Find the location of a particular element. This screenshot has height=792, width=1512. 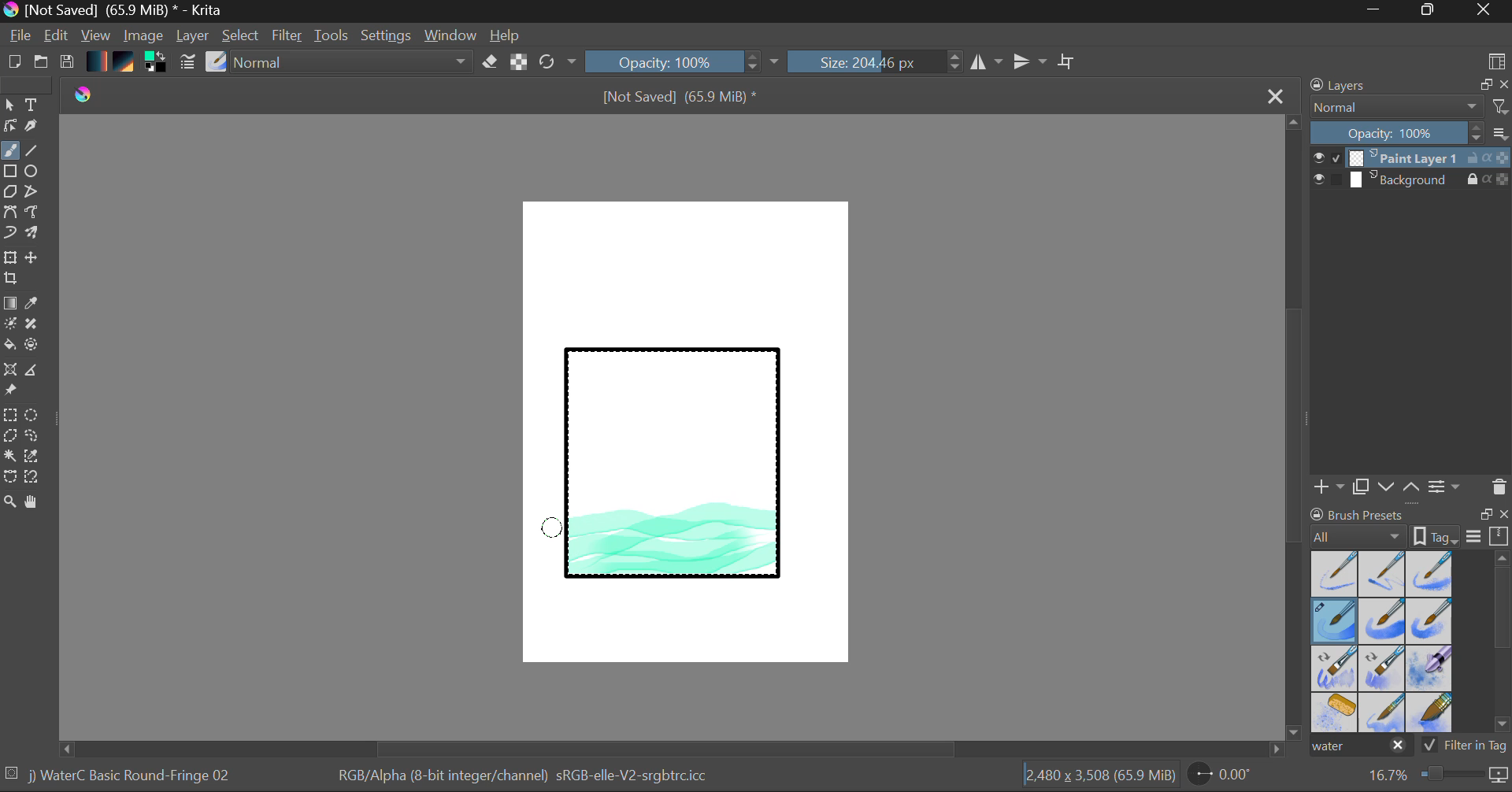

Brush Settings is located at coordinates (186, 63).